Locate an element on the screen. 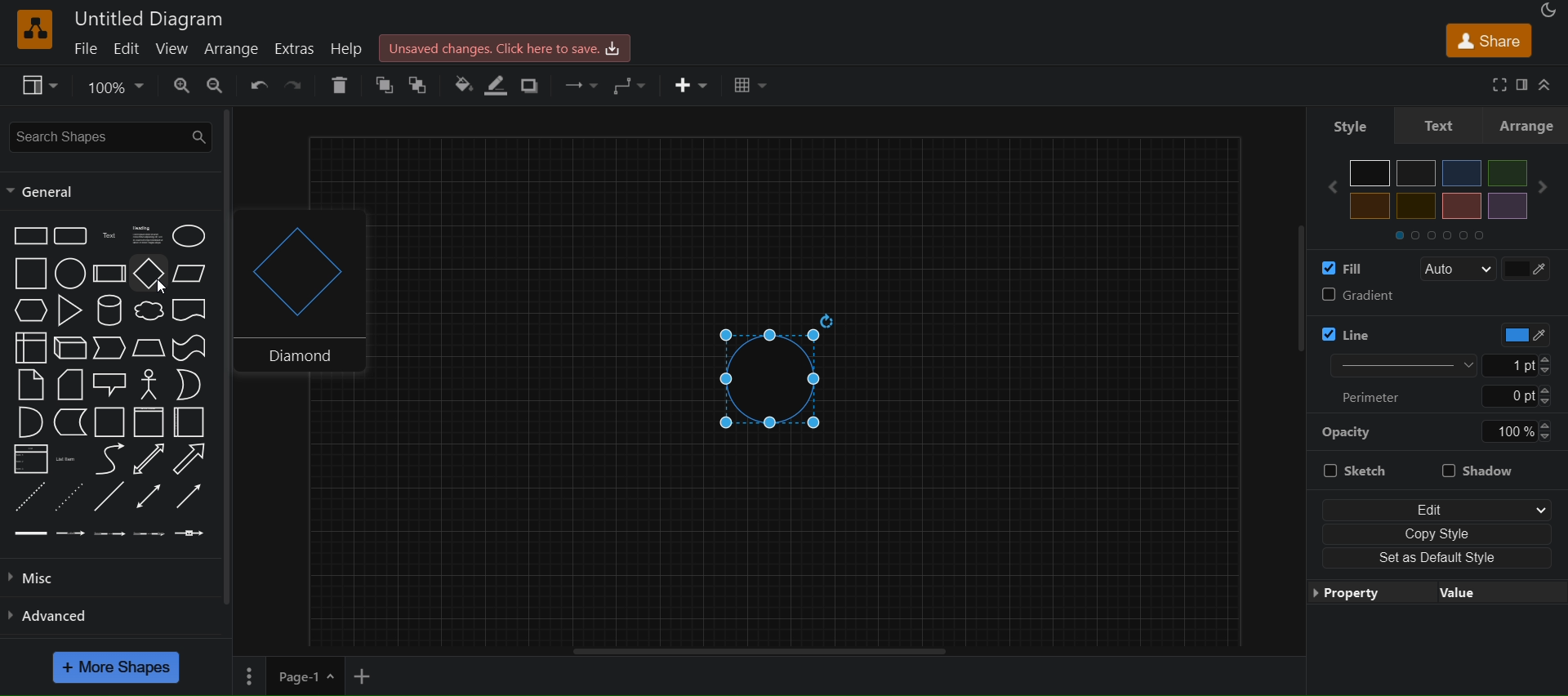 The height and width of the screenshot is (696, 1568). rounded rectangle is located at coordinates (69, 236).